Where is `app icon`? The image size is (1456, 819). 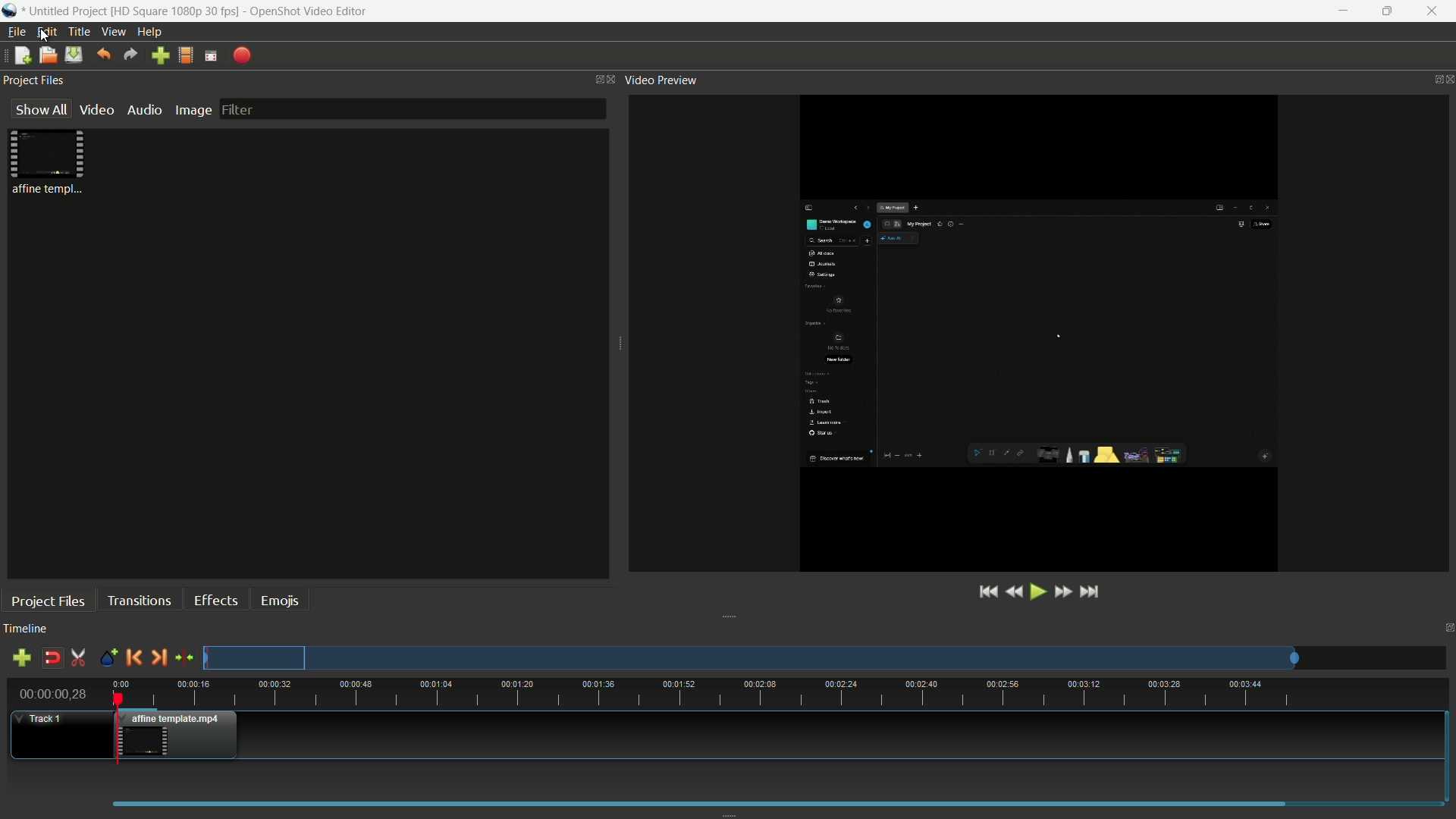
app icon is located at coordinates (11, 12).